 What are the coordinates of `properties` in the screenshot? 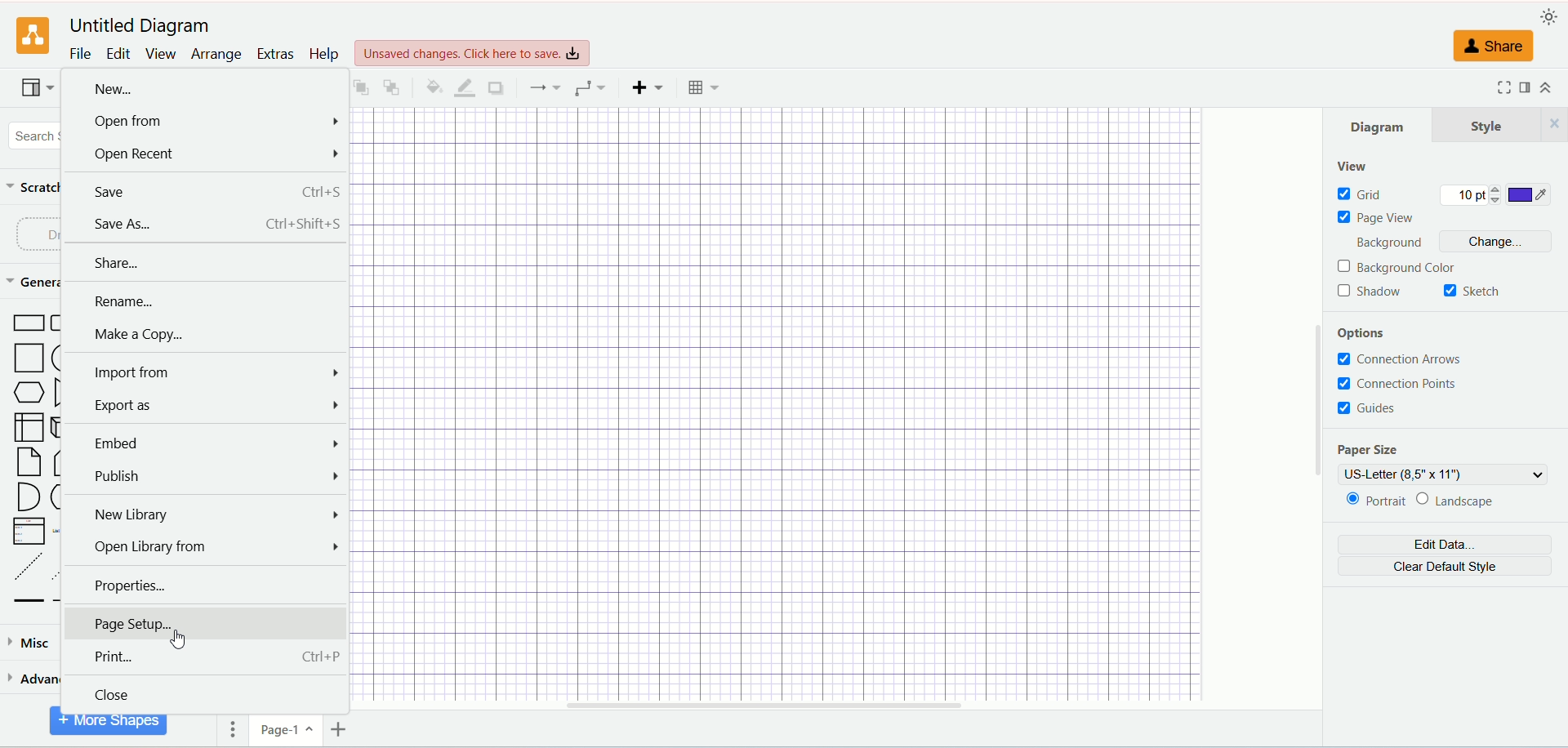 It's located at (205, 585).